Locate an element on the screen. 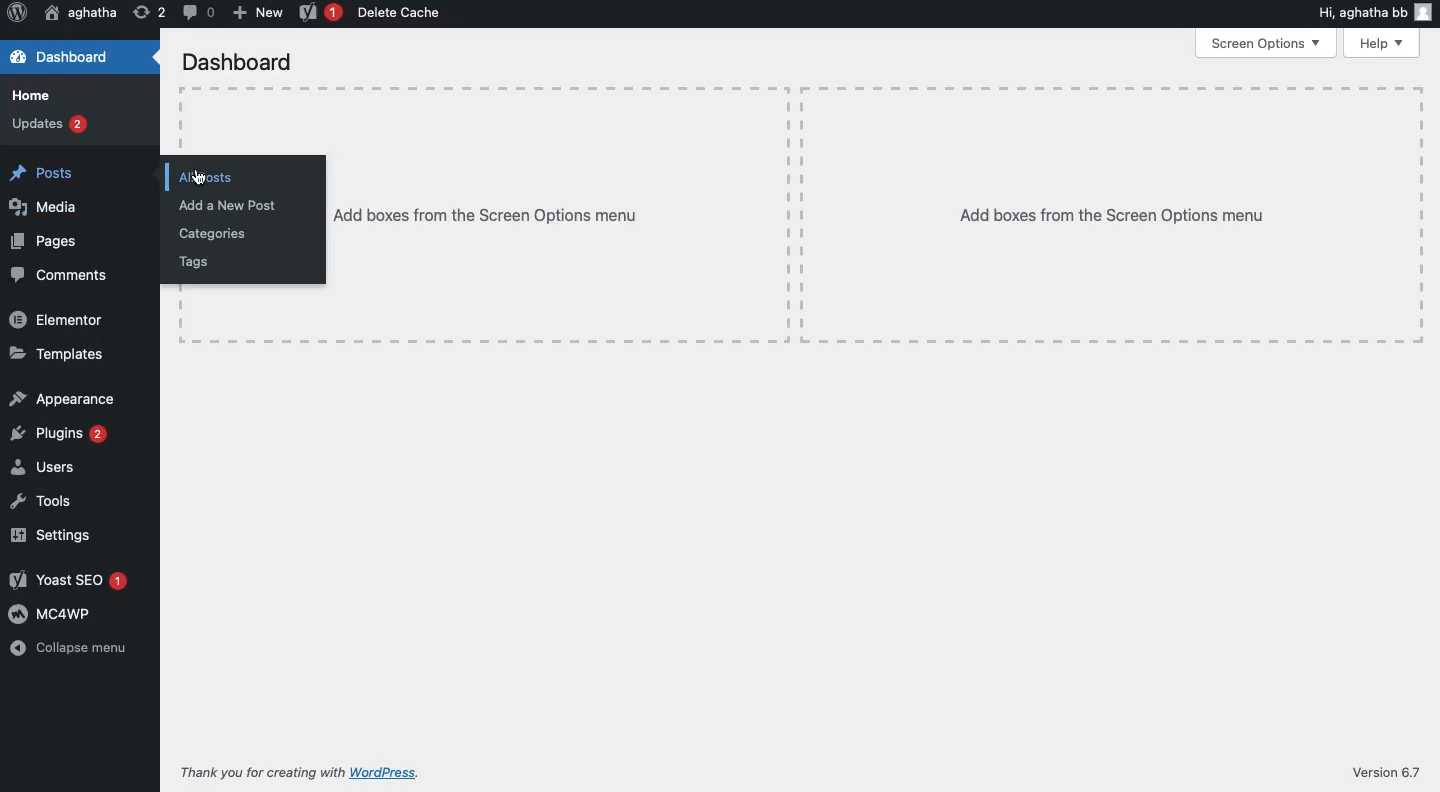  Profile is located at coordinates (1425, 11).